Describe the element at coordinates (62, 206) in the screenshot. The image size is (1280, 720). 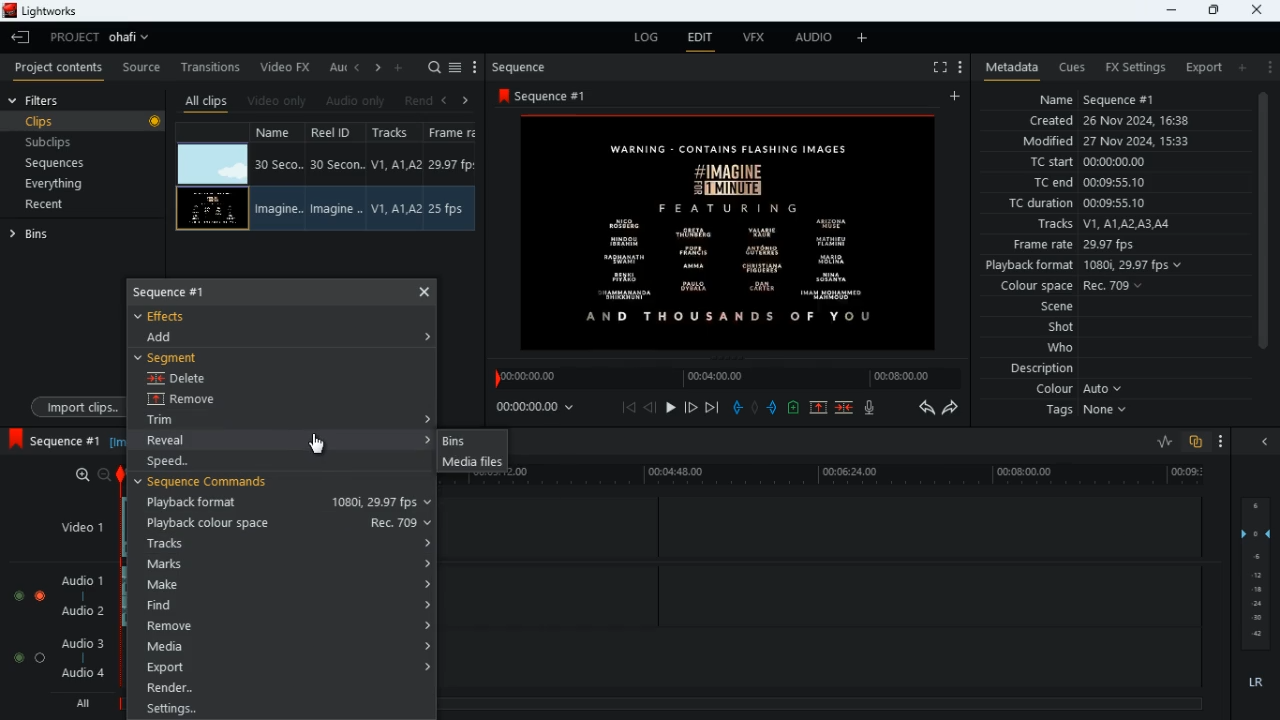
I see `recent` at that location.